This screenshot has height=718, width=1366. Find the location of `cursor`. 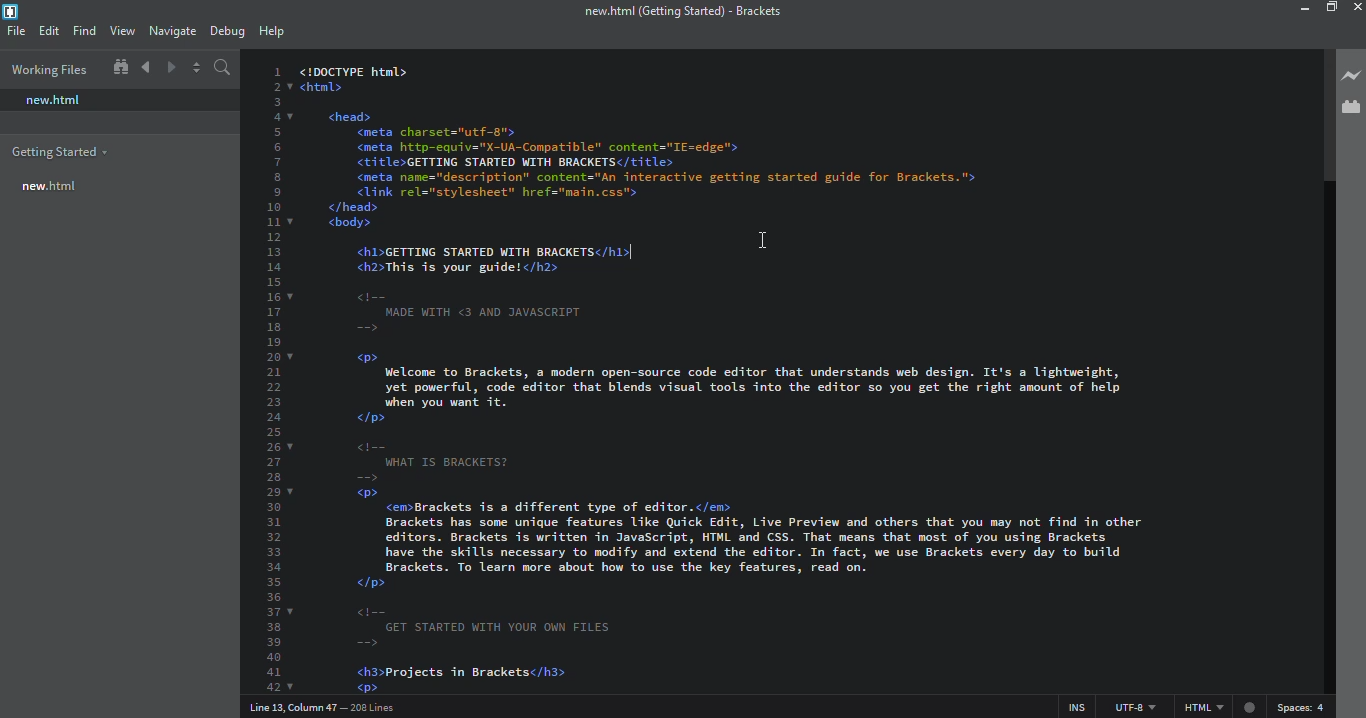

cursor is located at coordinates (761, 239).